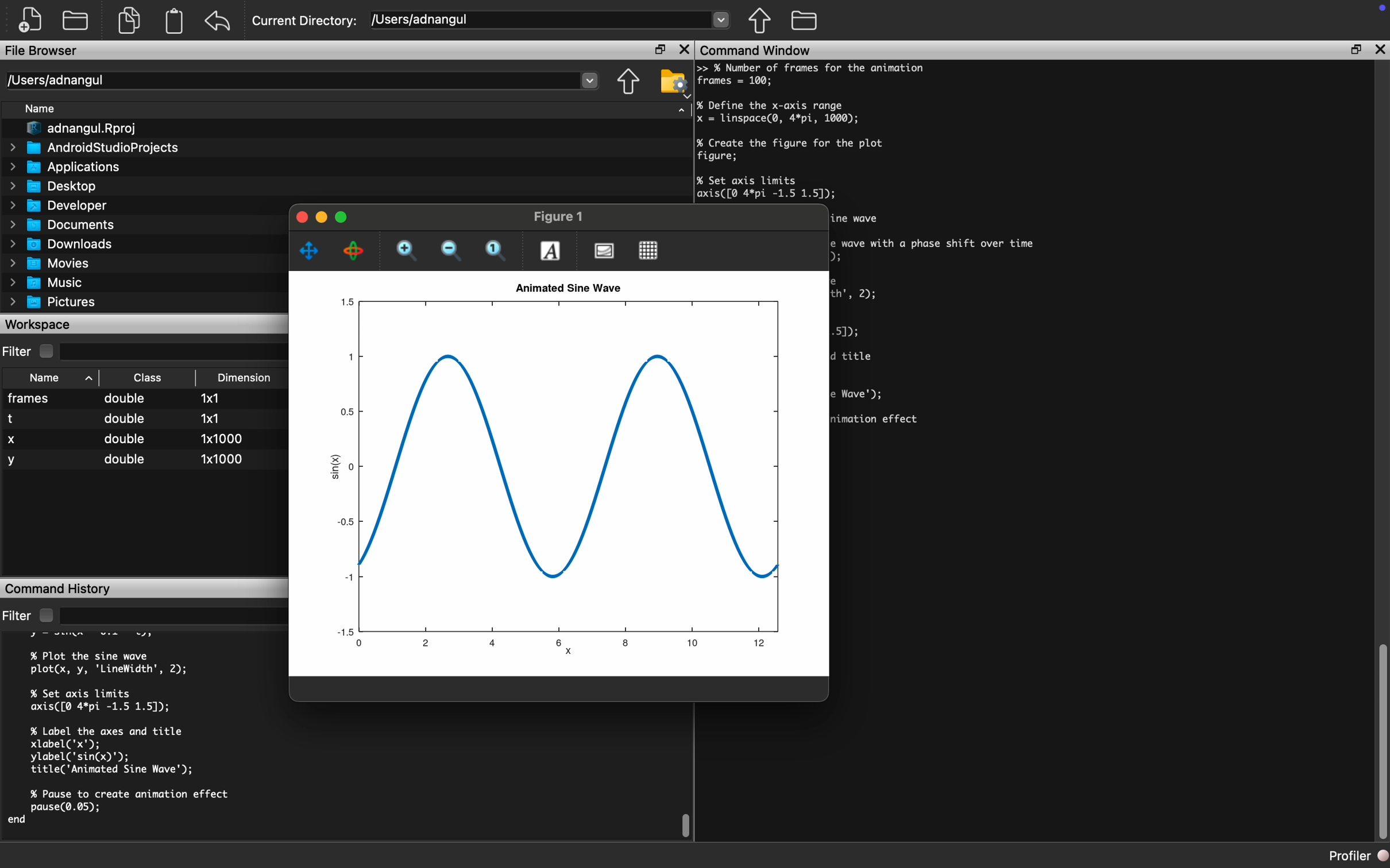 The width and height of the screenshot is (1390, 868). I want to click on Folder, so click(804, 21).